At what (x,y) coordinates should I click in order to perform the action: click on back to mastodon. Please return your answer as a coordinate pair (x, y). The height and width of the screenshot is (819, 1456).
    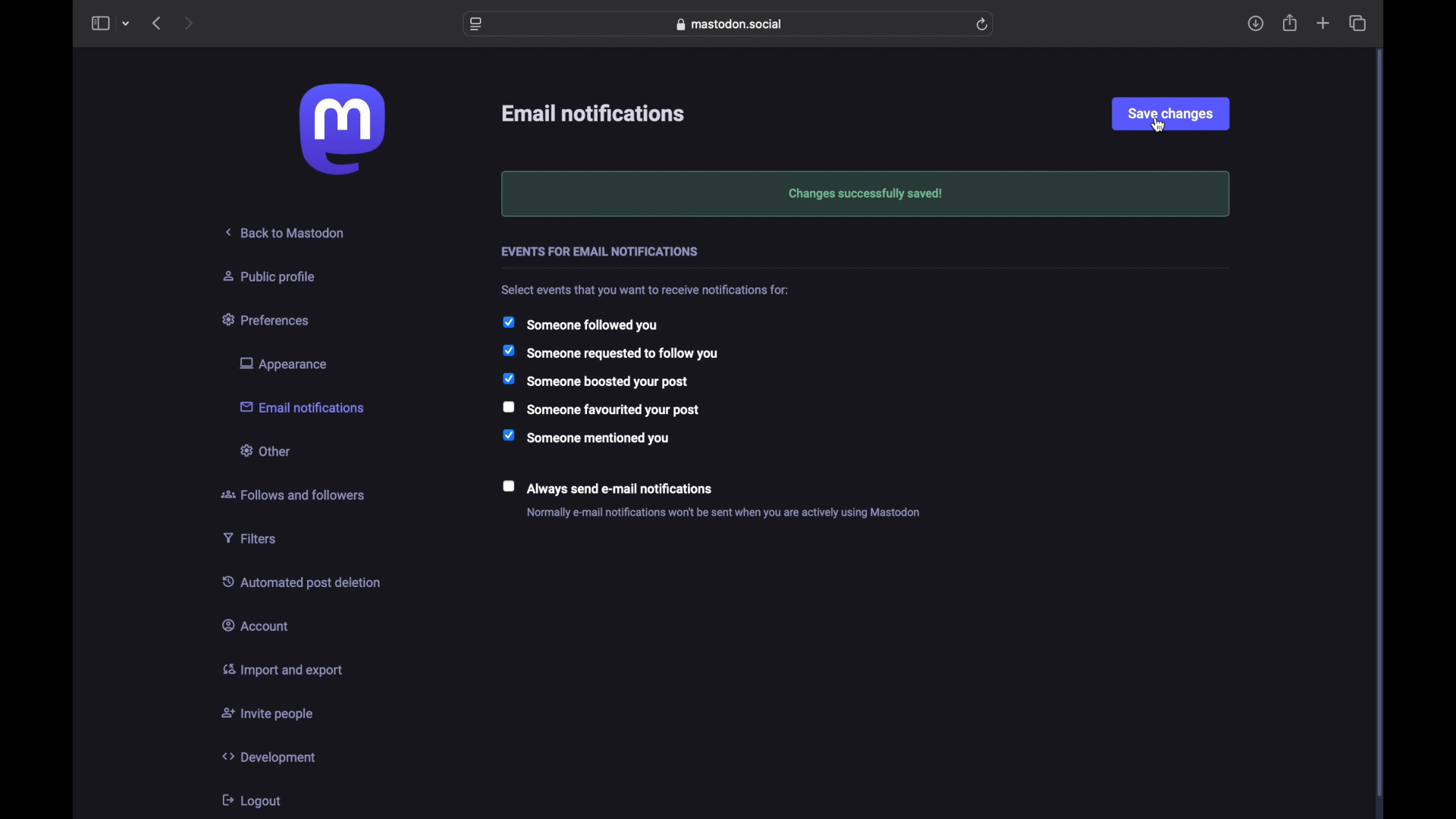
    Looking at the image, I should click on (286, 232).